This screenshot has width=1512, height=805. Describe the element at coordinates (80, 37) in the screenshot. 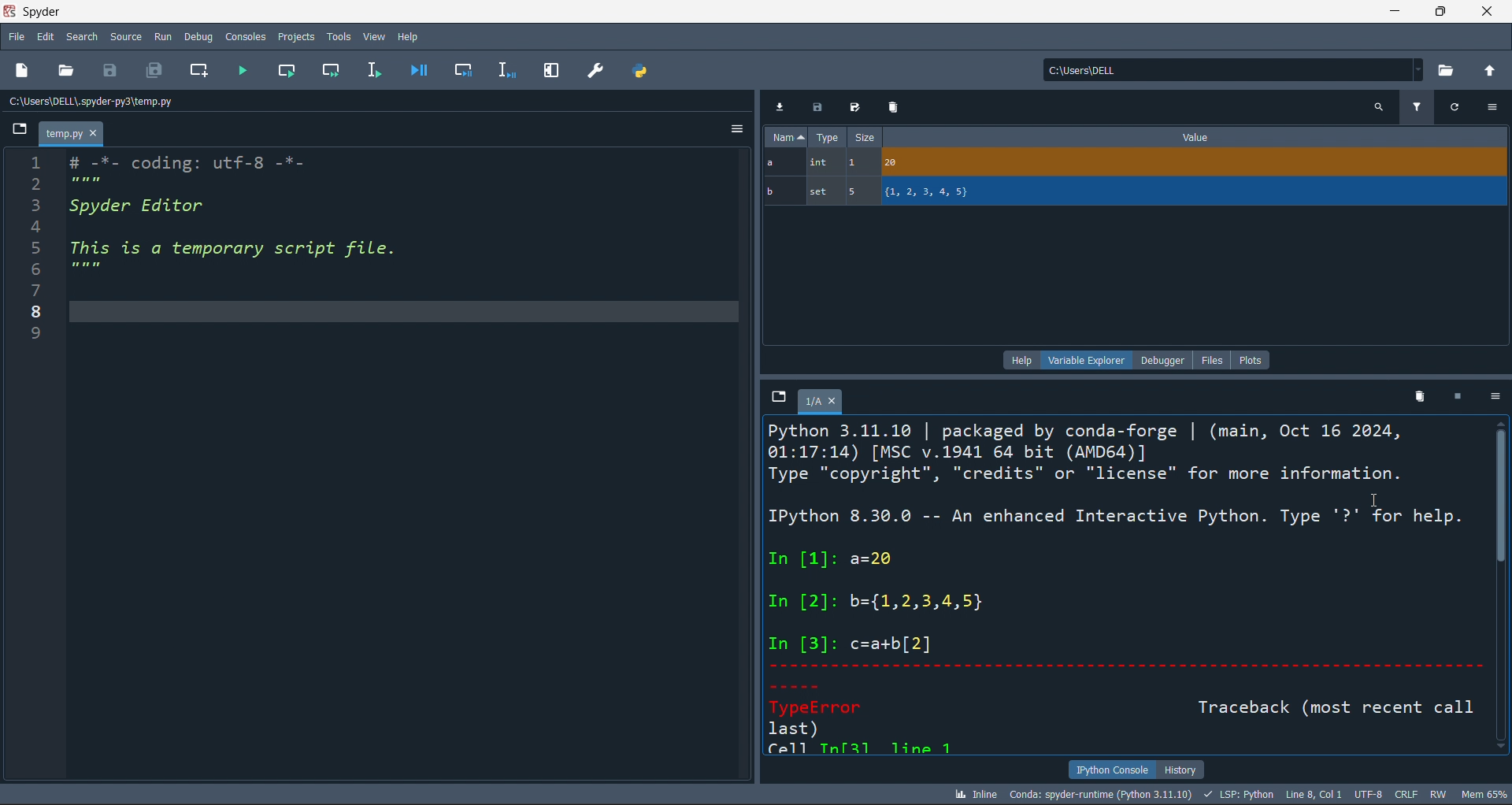

I see `search` at that location.